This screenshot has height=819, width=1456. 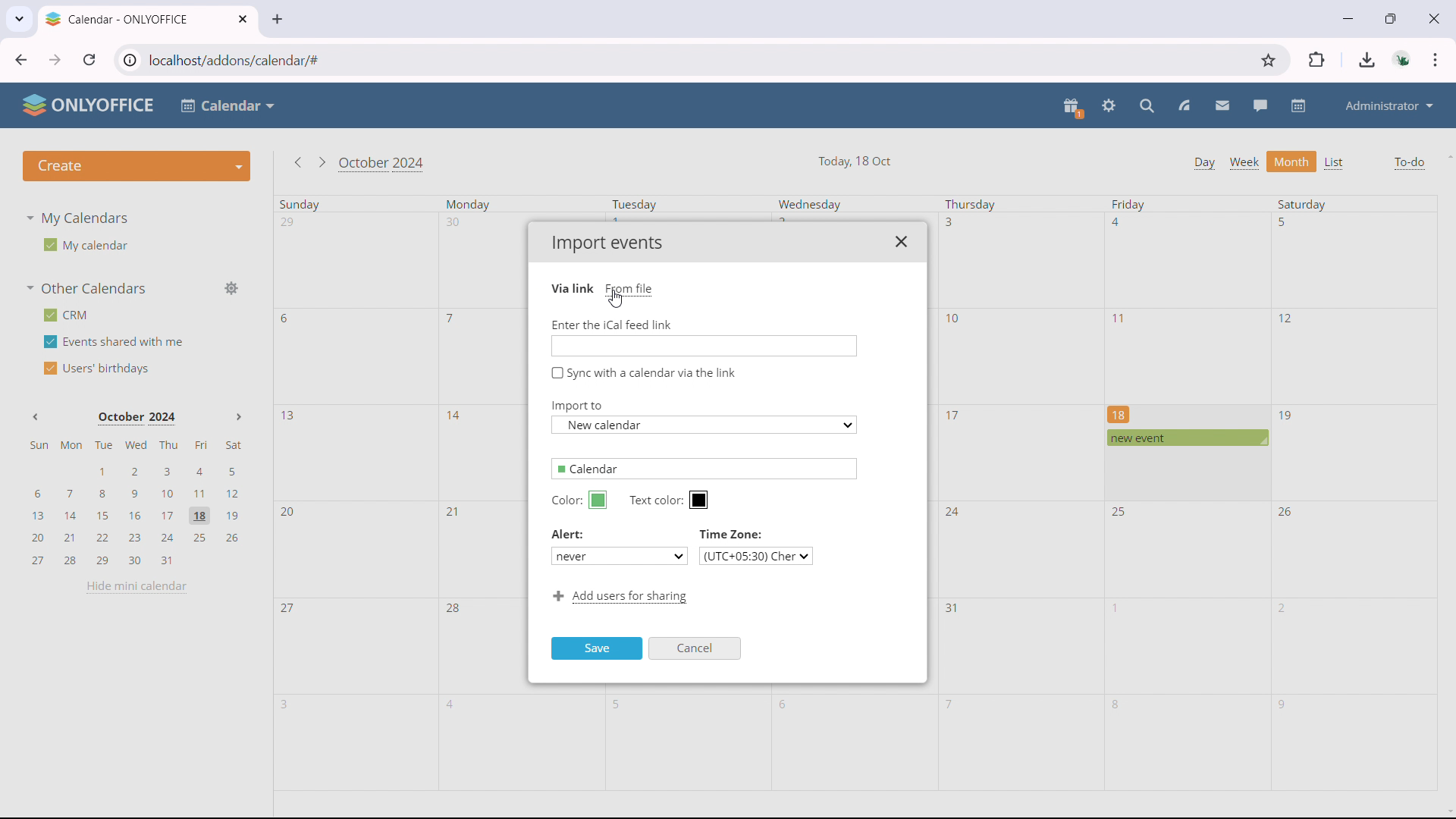 I want to click on Friday, so click(x=1129, y=205).